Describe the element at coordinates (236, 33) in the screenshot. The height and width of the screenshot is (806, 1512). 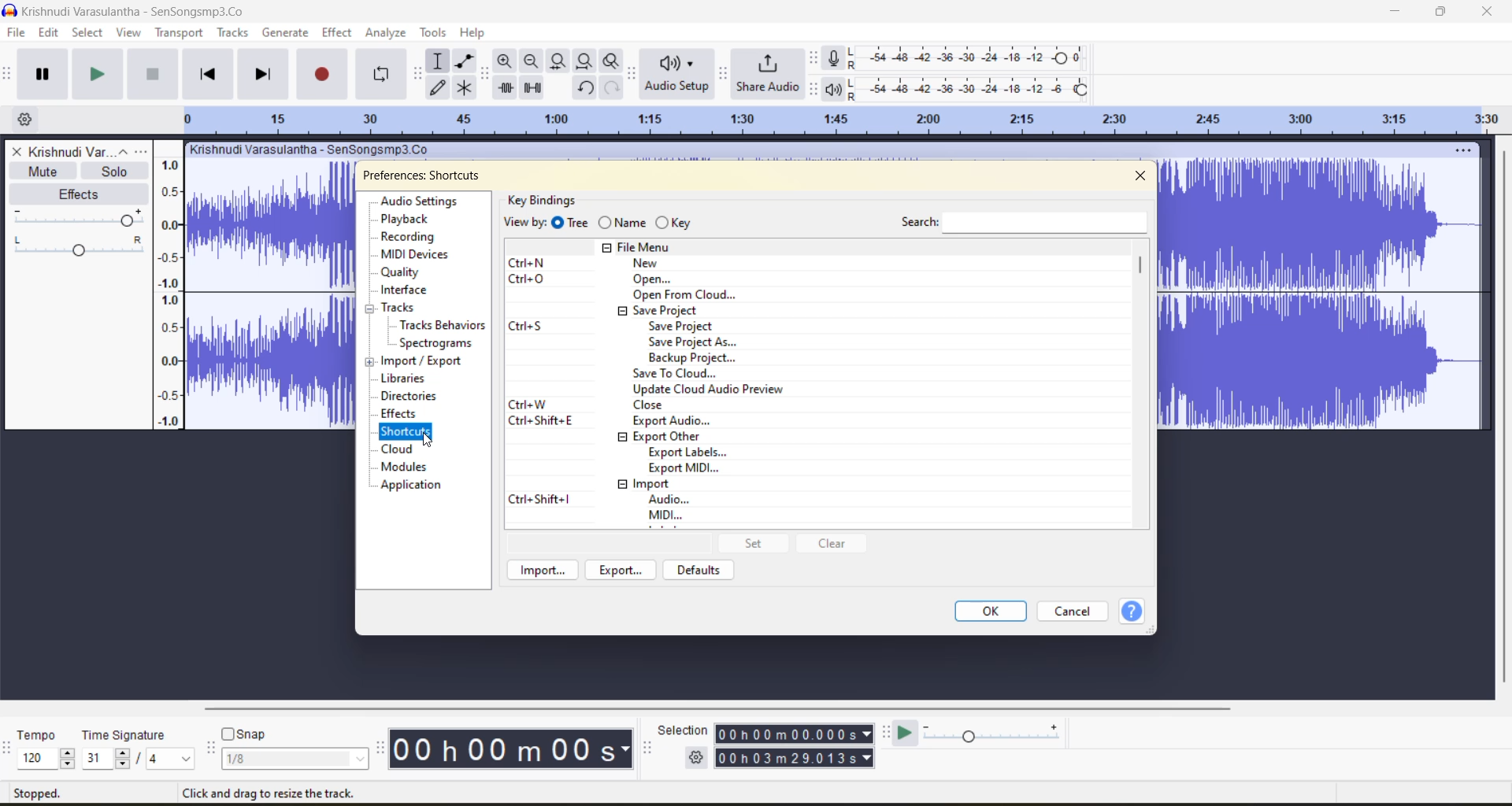
I see `tracks` at that location.